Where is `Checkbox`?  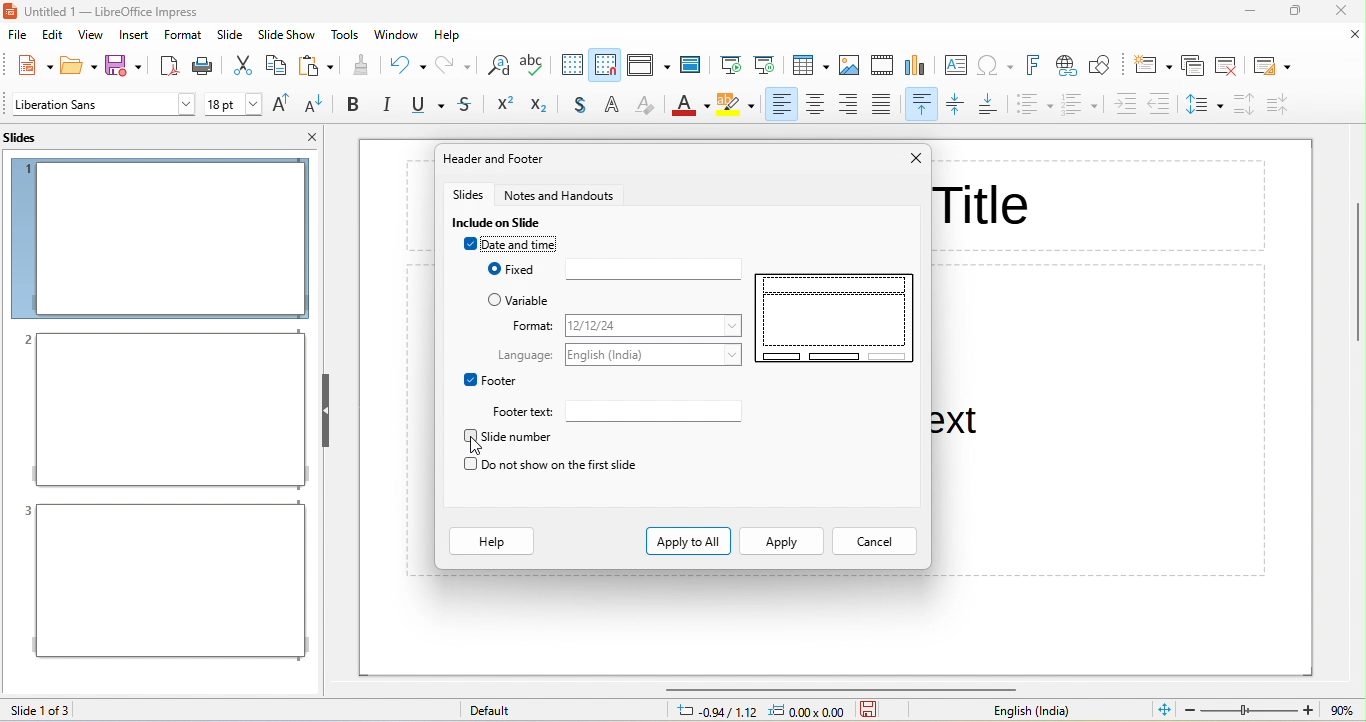 Checkbox is located at coordinates (469, 464).